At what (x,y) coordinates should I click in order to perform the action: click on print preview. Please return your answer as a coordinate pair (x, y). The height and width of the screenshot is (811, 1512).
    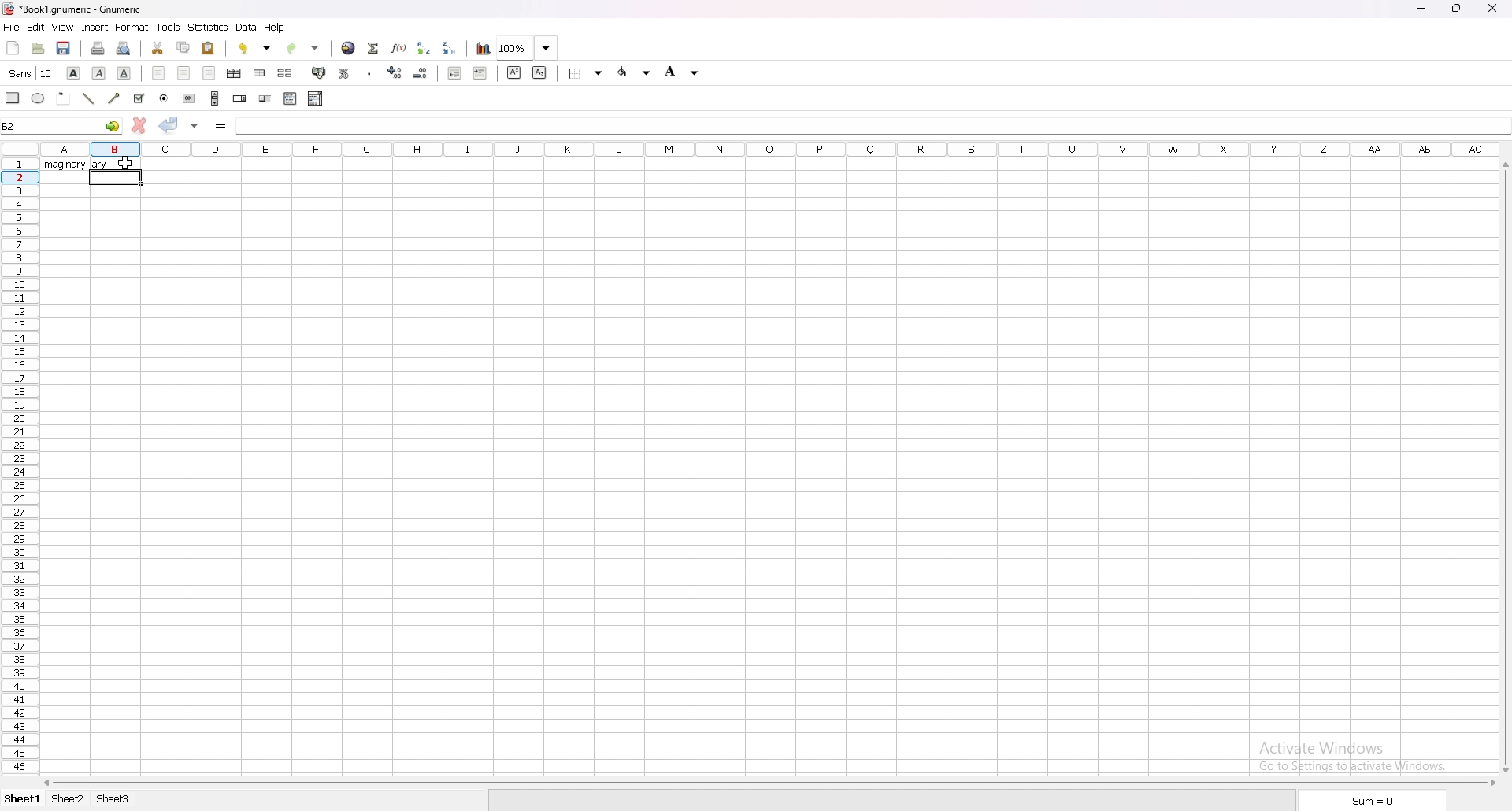
    Looking at the image, I should click on (124, 48).